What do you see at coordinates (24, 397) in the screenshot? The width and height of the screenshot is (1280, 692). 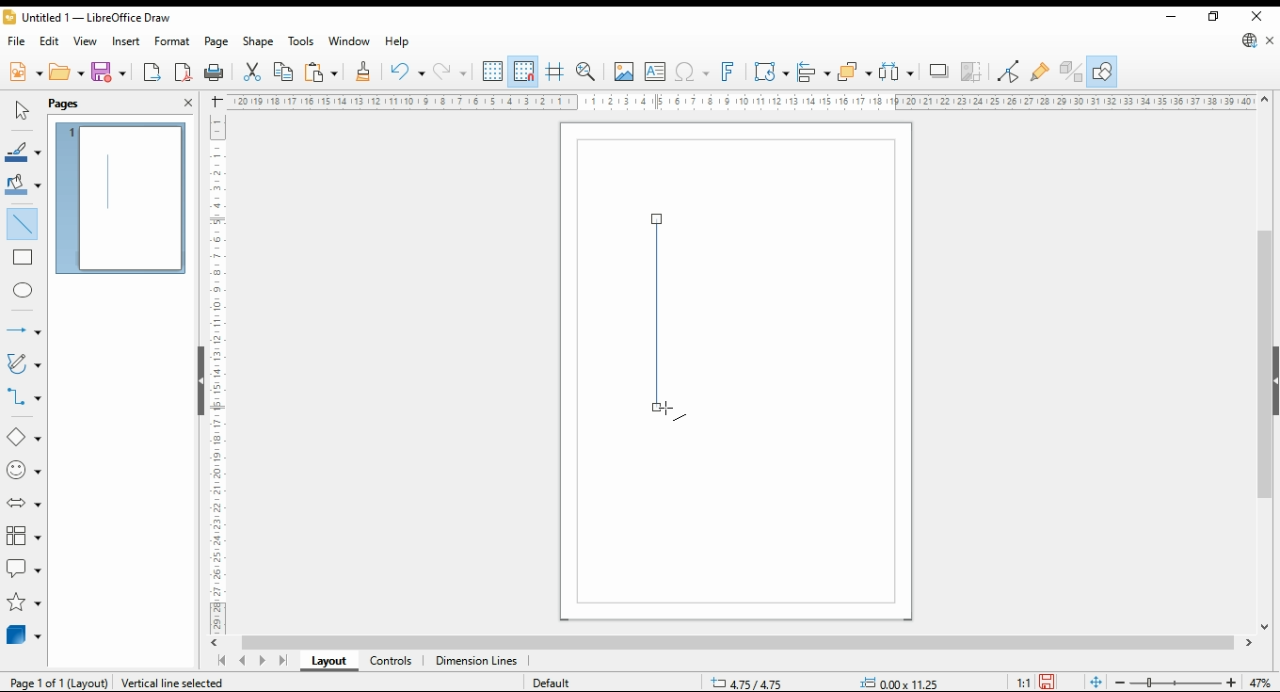 I see `connectors` at bounding box center [24, 397].